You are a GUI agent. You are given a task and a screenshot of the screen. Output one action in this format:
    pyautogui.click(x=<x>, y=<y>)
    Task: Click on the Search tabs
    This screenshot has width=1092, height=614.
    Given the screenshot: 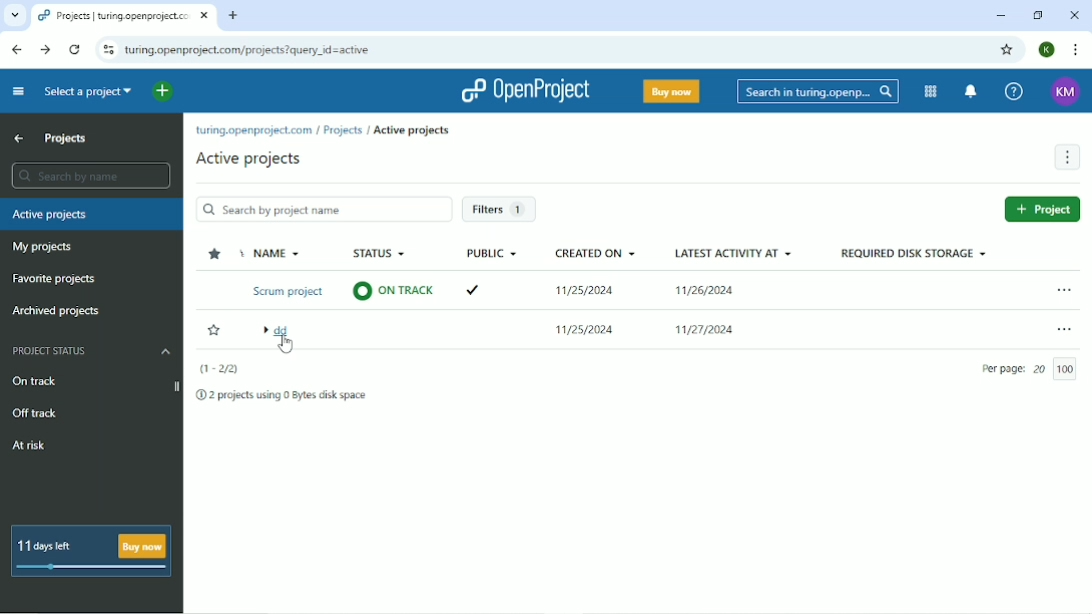 What is the action you would take?
    pyautogui.click(x=14, y=16)
    